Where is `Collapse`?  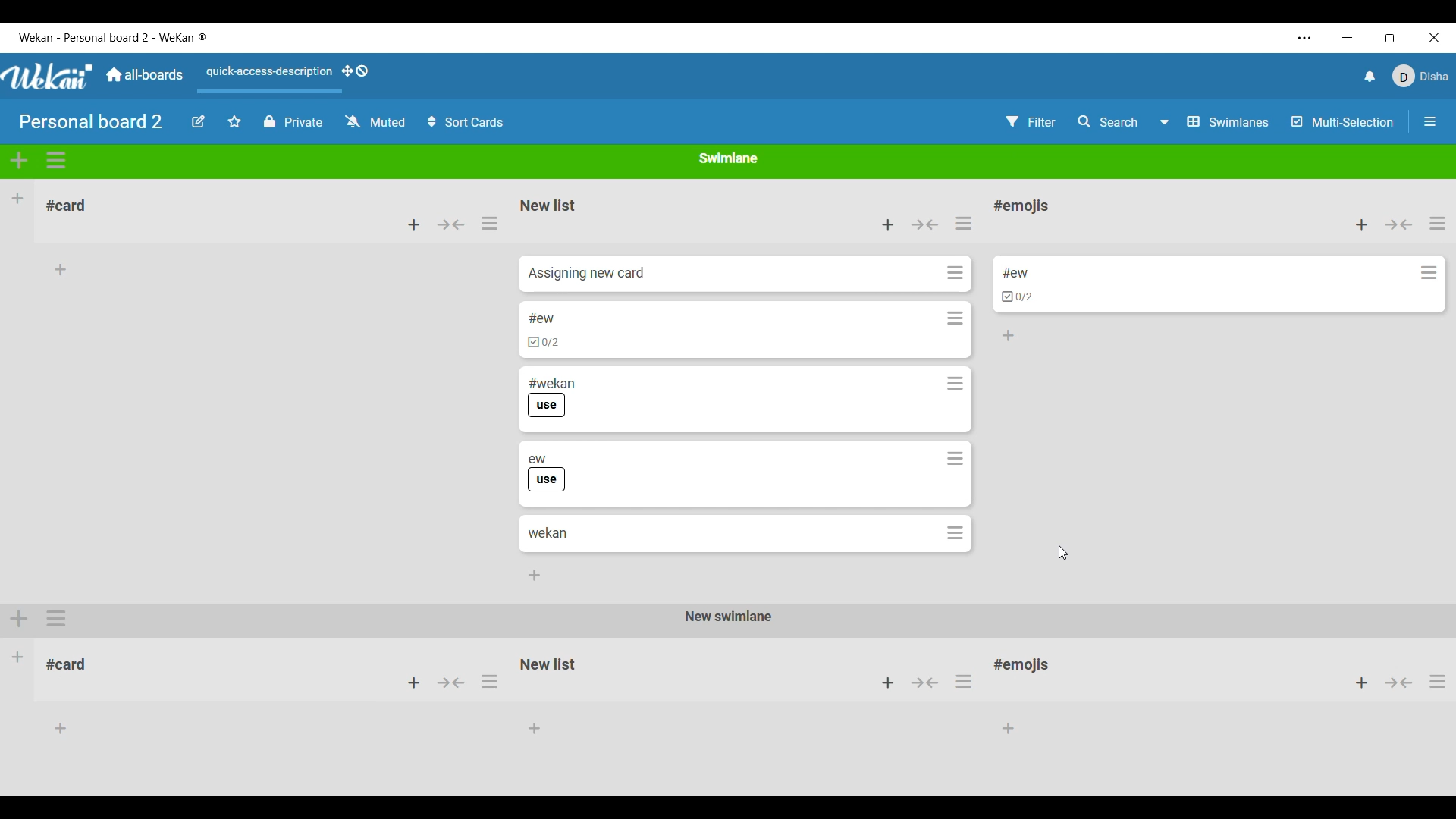 Collapse is located at coordinates (450, 224).